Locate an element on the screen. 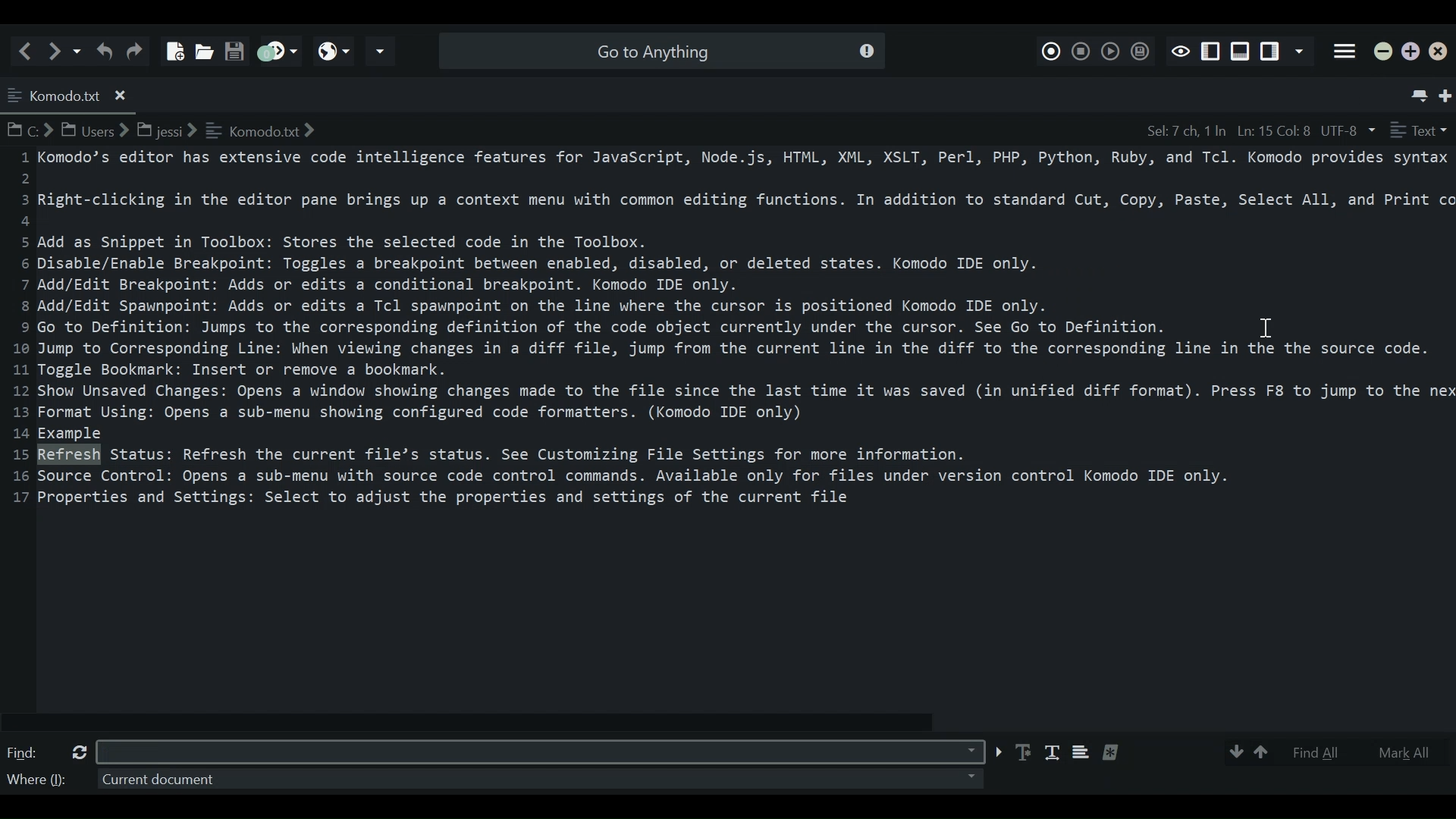 This screenshot has width=1456, height=819. Close is located at coordinates (1442, 54).